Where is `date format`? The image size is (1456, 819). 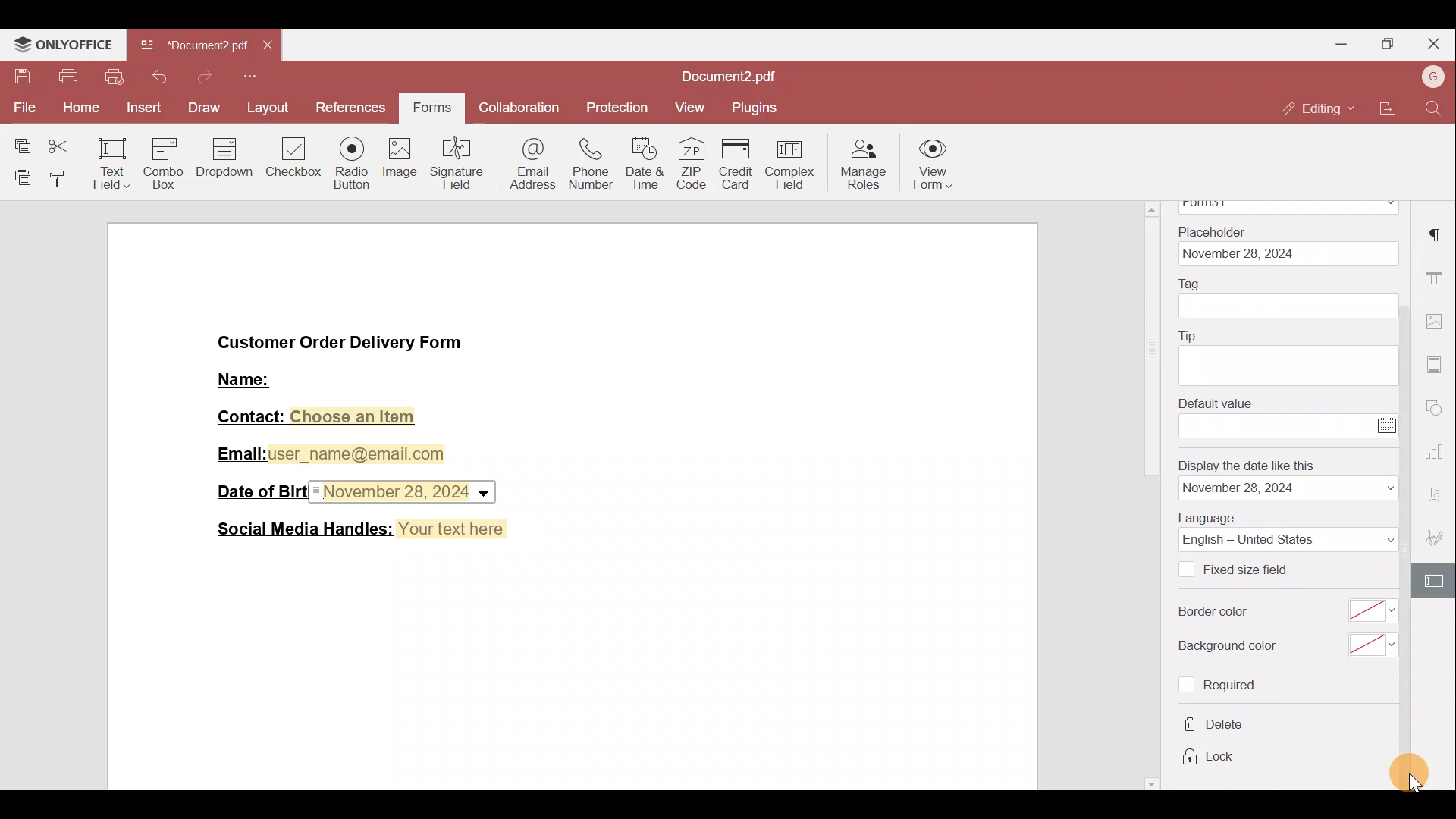
date format is located at coordinates (1289, 488).